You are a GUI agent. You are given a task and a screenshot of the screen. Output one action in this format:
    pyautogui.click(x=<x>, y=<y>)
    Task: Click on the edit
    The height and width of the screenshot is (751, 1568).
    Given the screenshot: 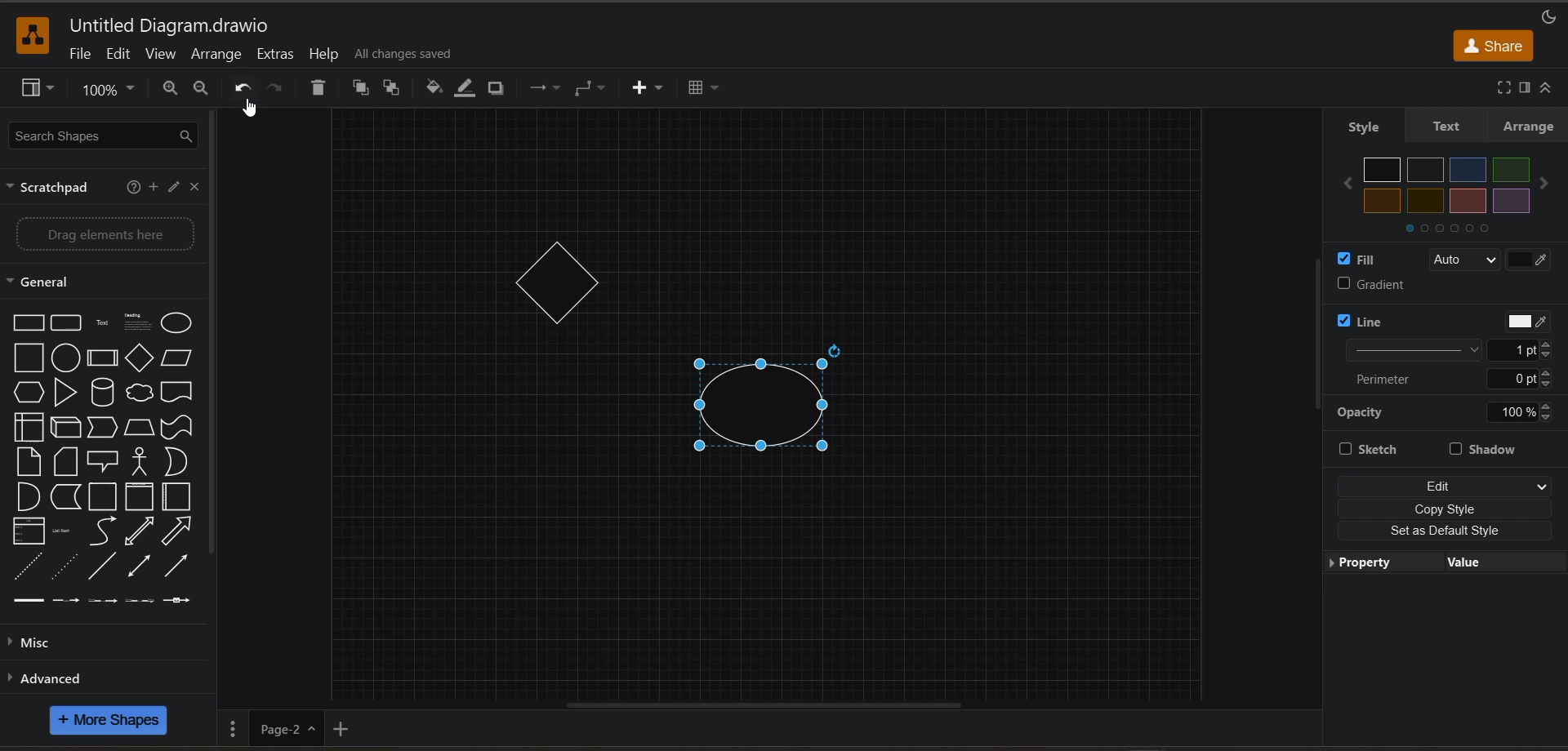 What is the action you would take?
    pyautogui.click(x=1450, y=483)
    